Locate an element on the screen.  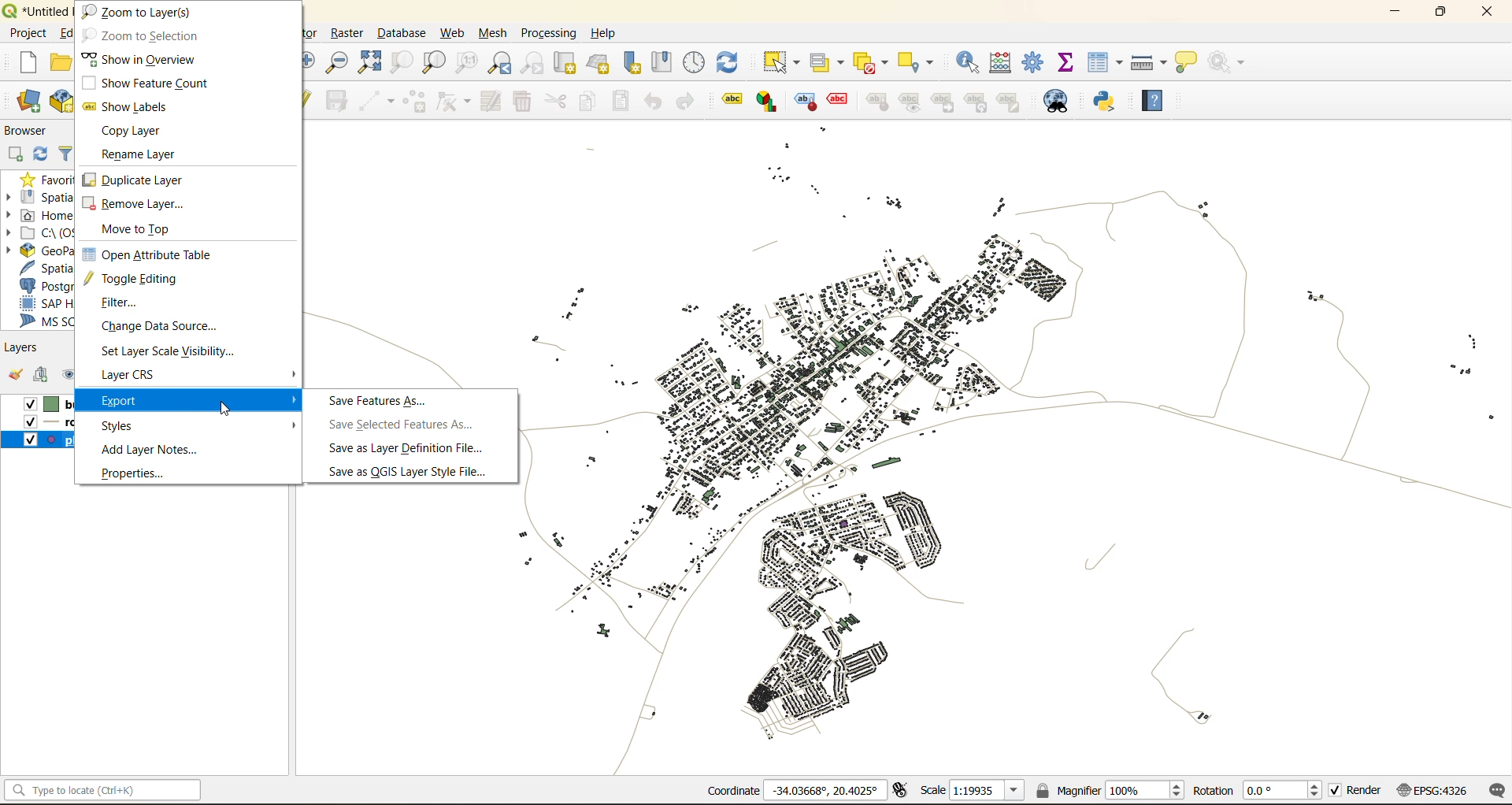
show spatial bookmark is located at coordinates (667, 61).